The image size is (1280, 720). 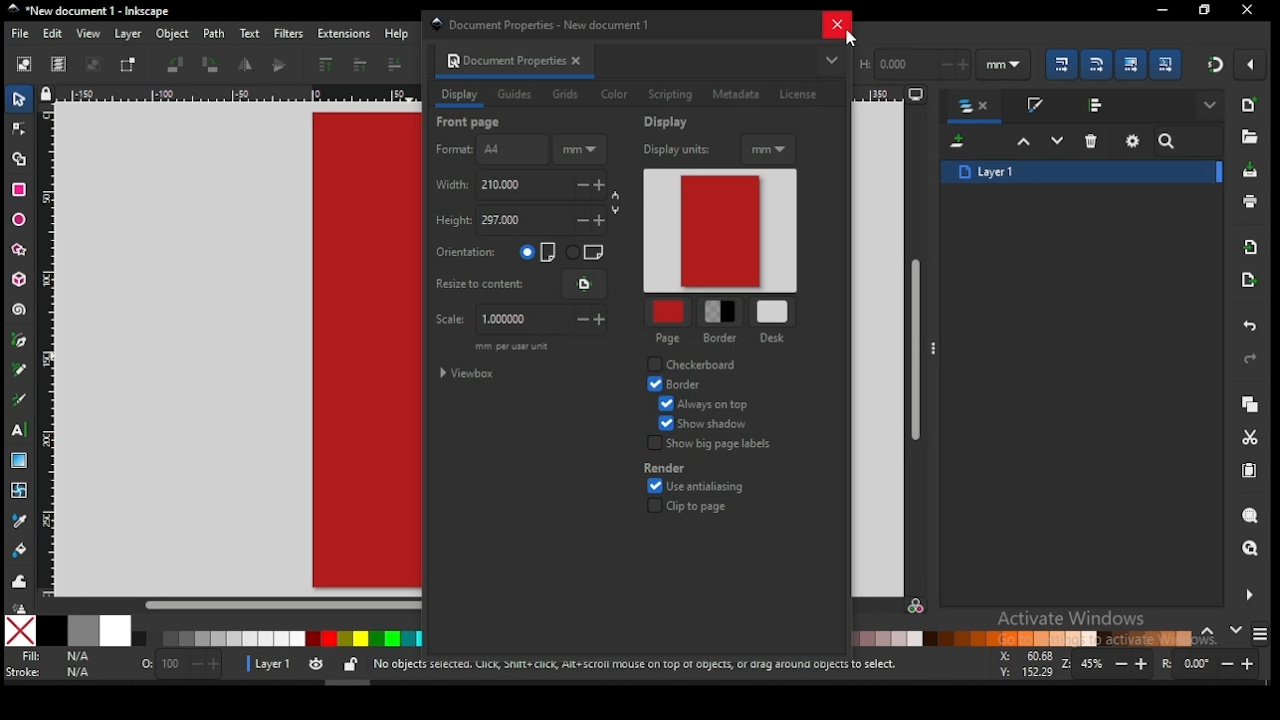 I want to click on page orientation: vertical/horizontal, so click(x=522, y=252).